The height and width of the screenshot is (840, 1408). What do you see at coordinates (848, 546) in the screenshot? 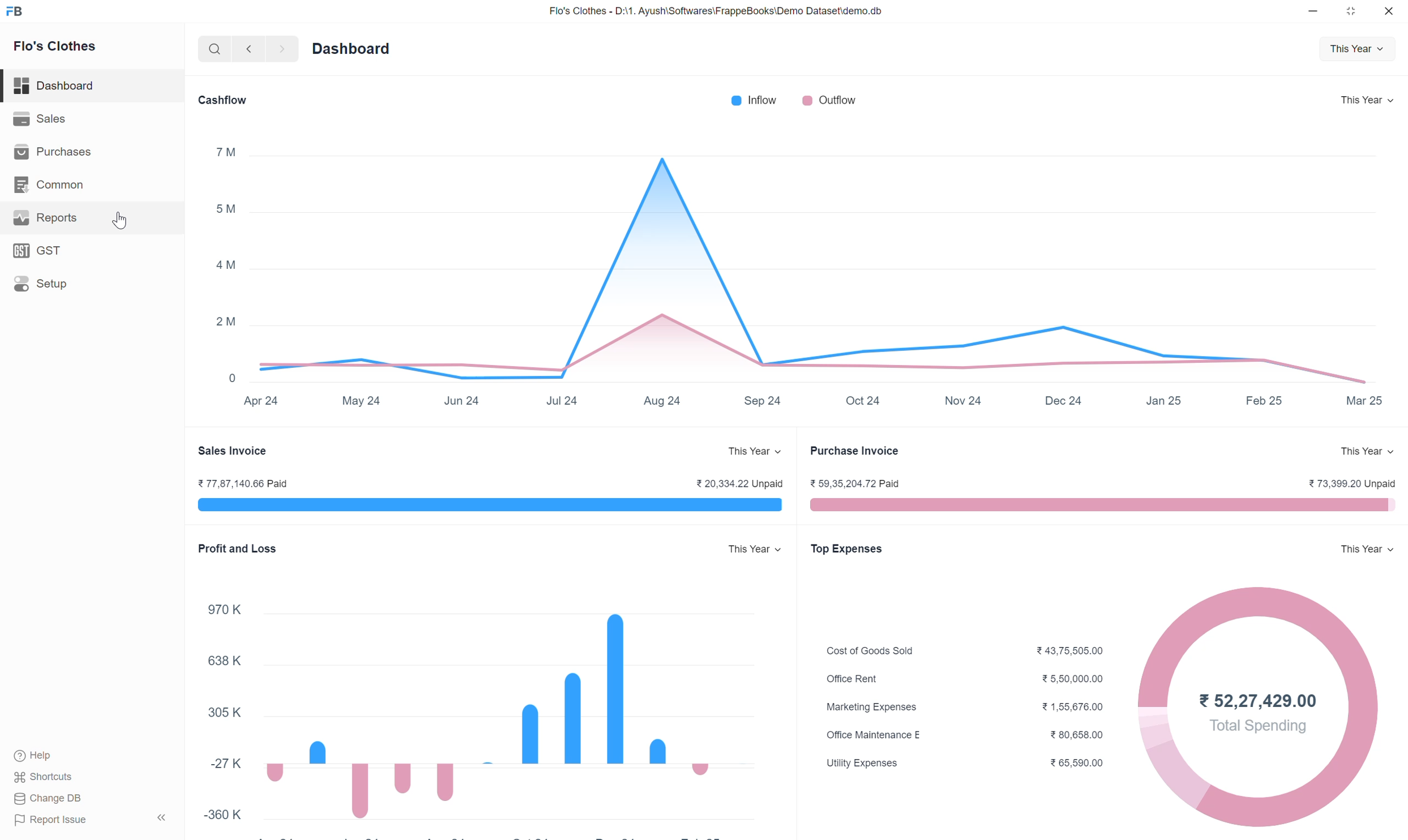
I see `Top Expenses` at bounding box center [848, 546].